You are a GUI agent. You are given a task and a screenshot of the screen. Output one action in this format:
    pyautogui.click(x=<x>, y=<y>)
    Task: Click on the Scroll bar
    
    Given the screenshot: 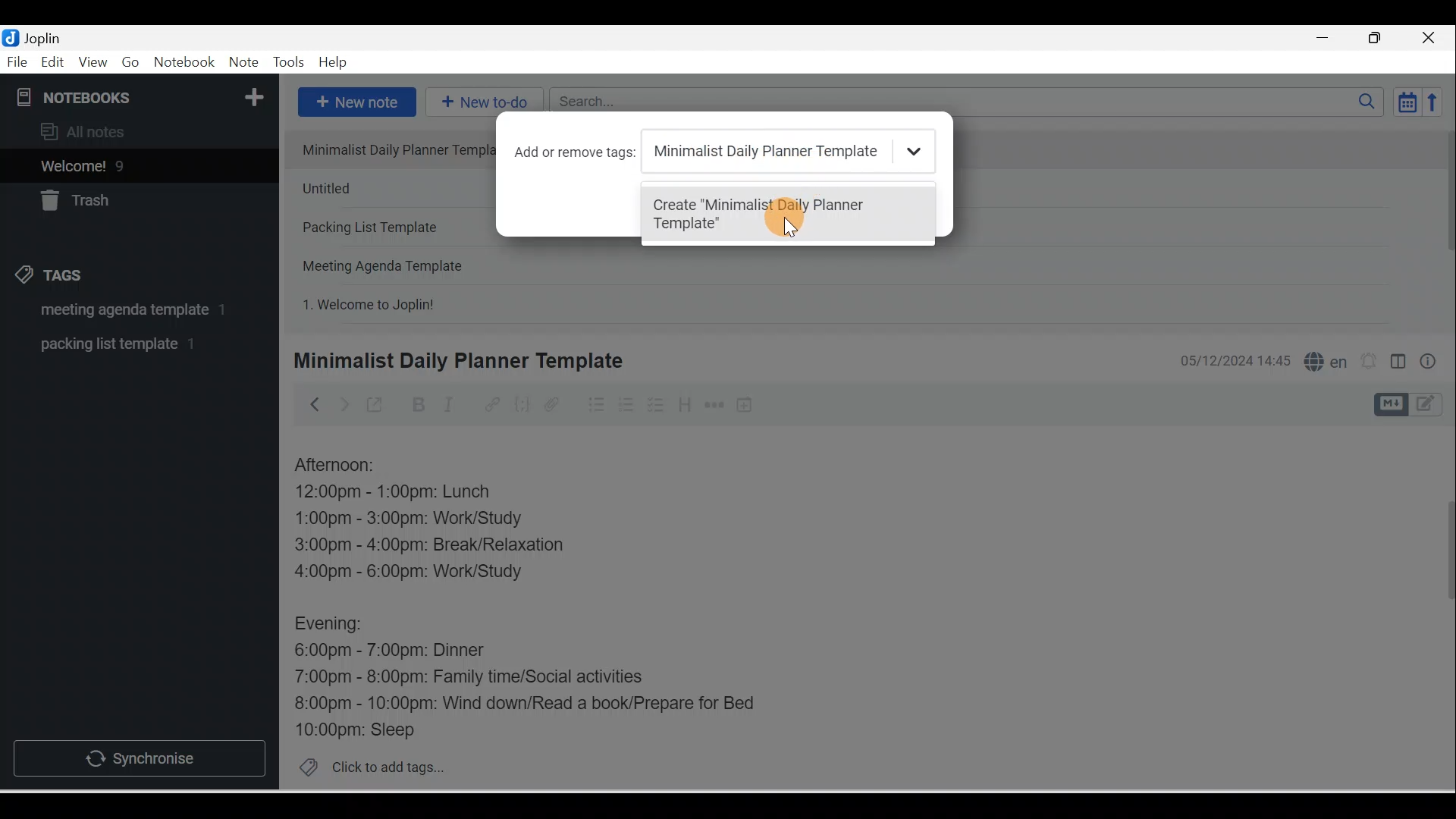 What is the action you would take?
    pyautogui.click(x=1439, y=608)
    